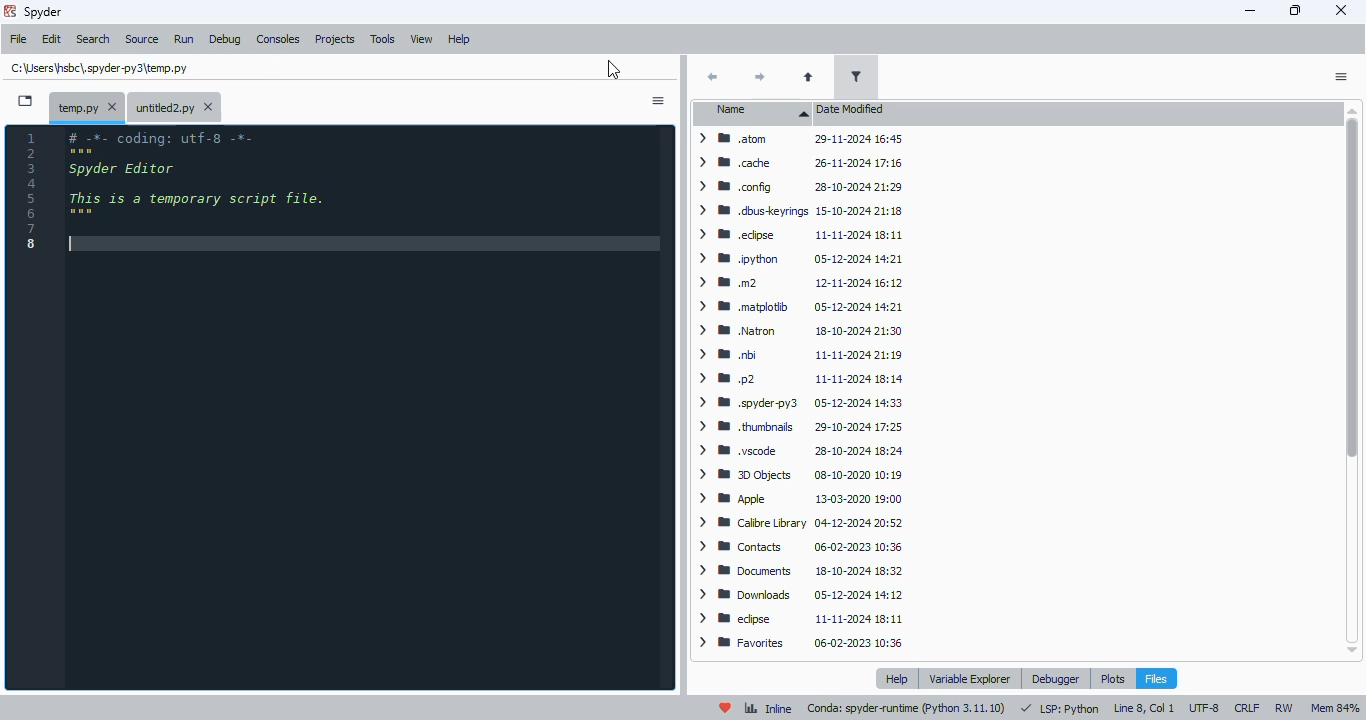 This screenshot has width=1366, height=720. Describe the element at coordinates (43, 12) in the screenshot. I see `spyder` at that location.